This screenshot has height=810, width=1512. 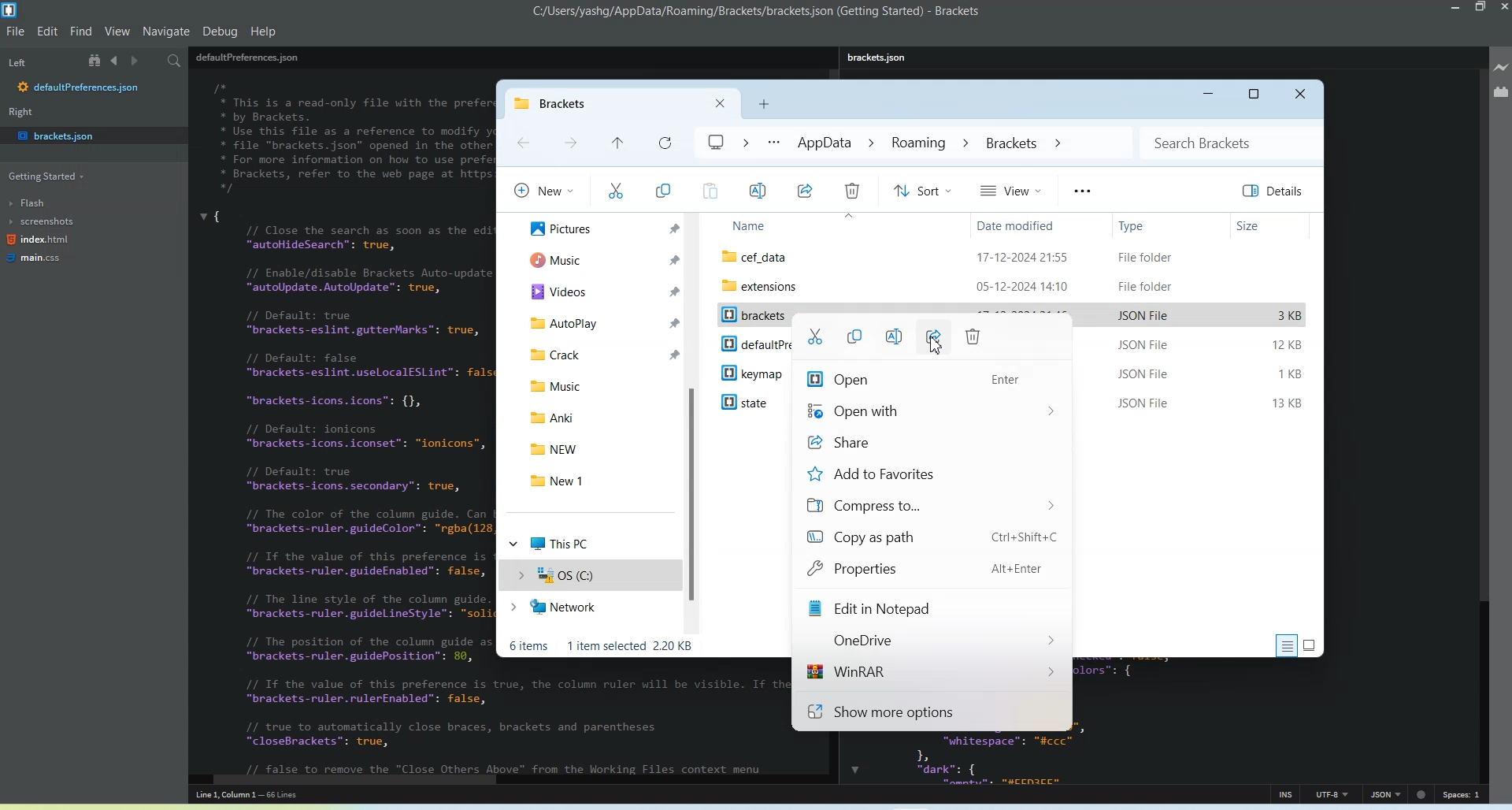 I want to click on Copy, so click(x=853, y=336).